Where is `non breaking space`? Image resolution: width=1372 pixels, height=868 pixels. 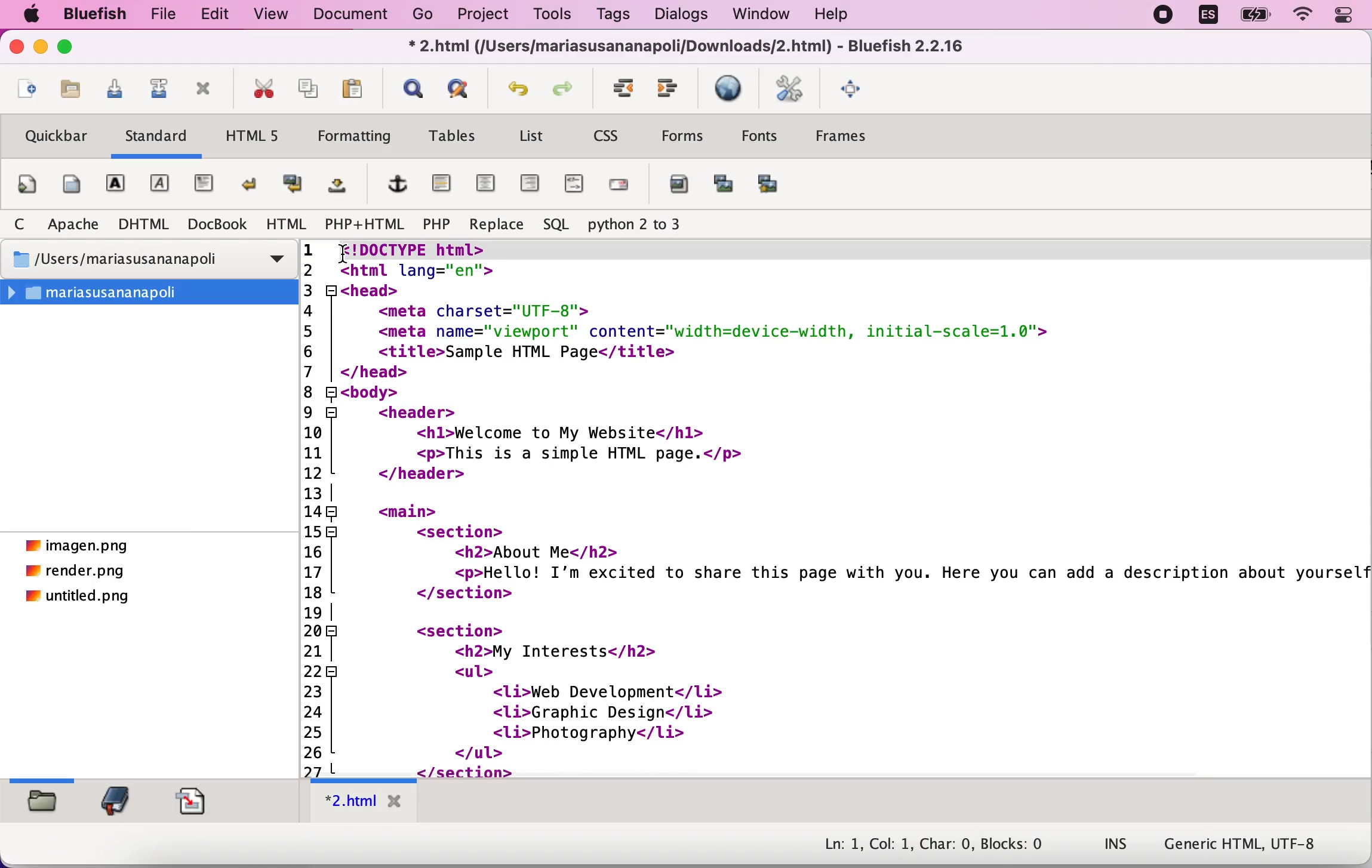 non breaking space is located at coordinates (336, 189).